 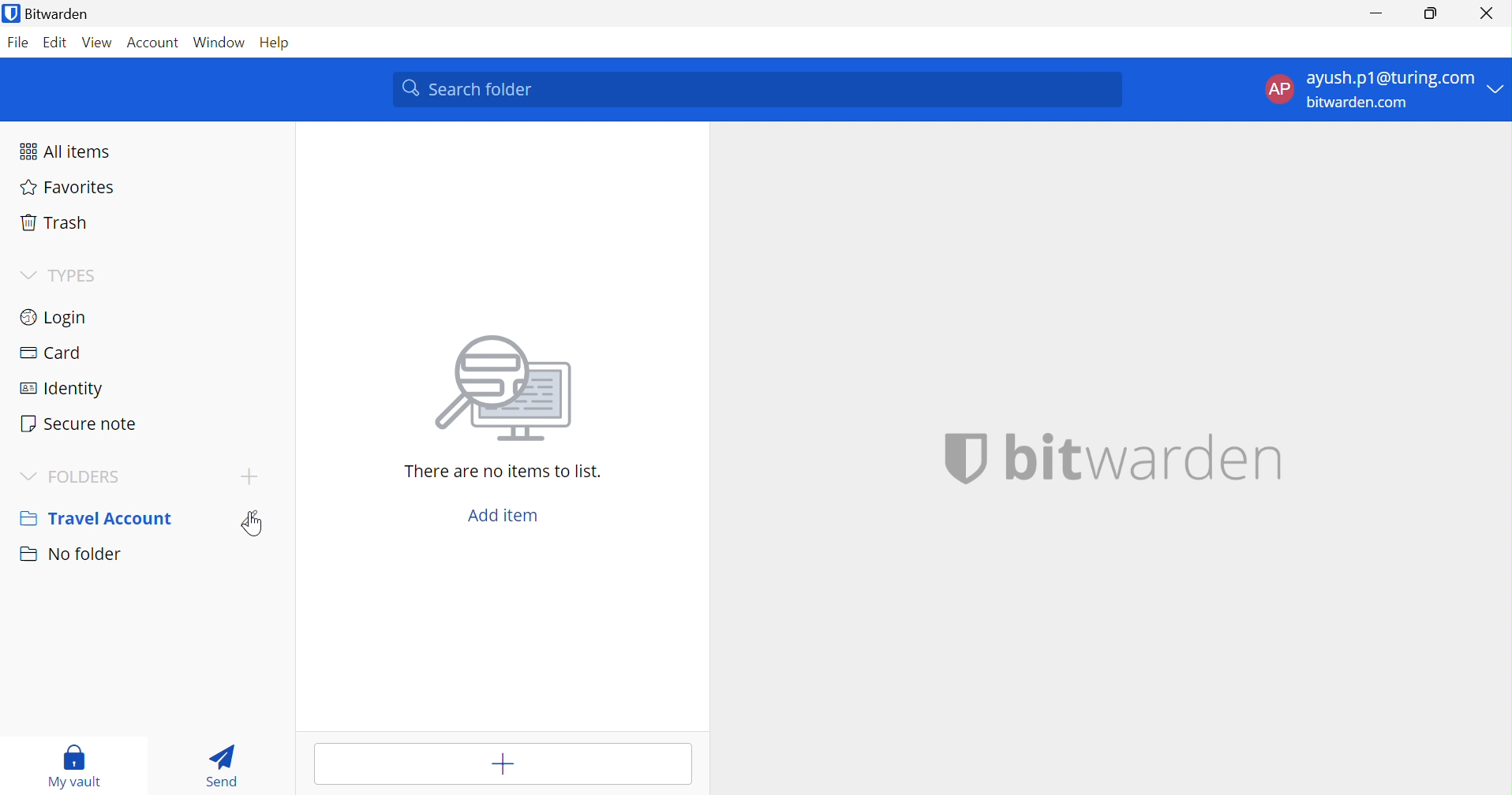 What do you see at coordinates (23, 274) in the screenshot?
I see `Drop Down` at bounding box center [23, 274].